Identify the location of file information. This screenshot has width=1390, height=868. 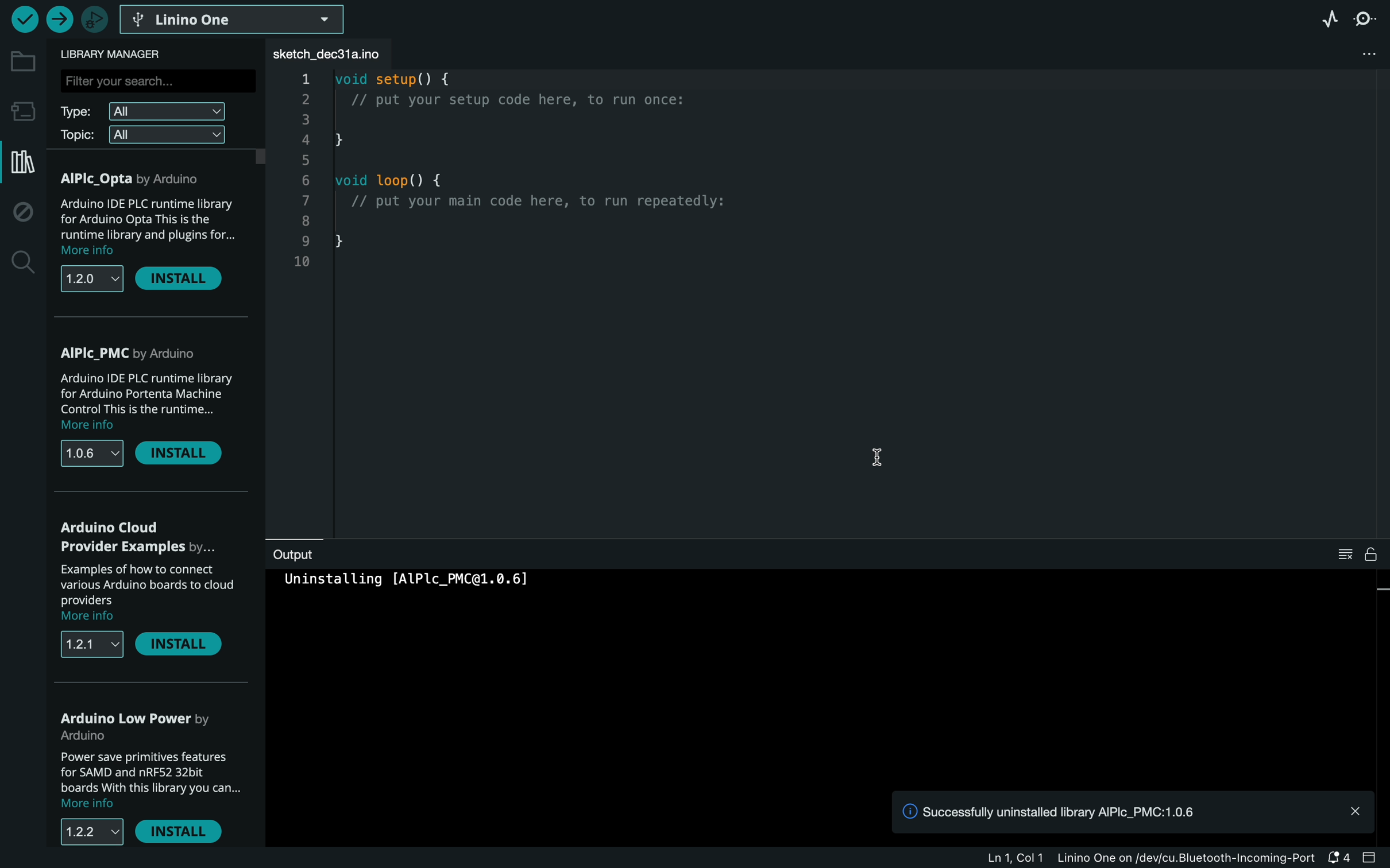
(1096, 859).